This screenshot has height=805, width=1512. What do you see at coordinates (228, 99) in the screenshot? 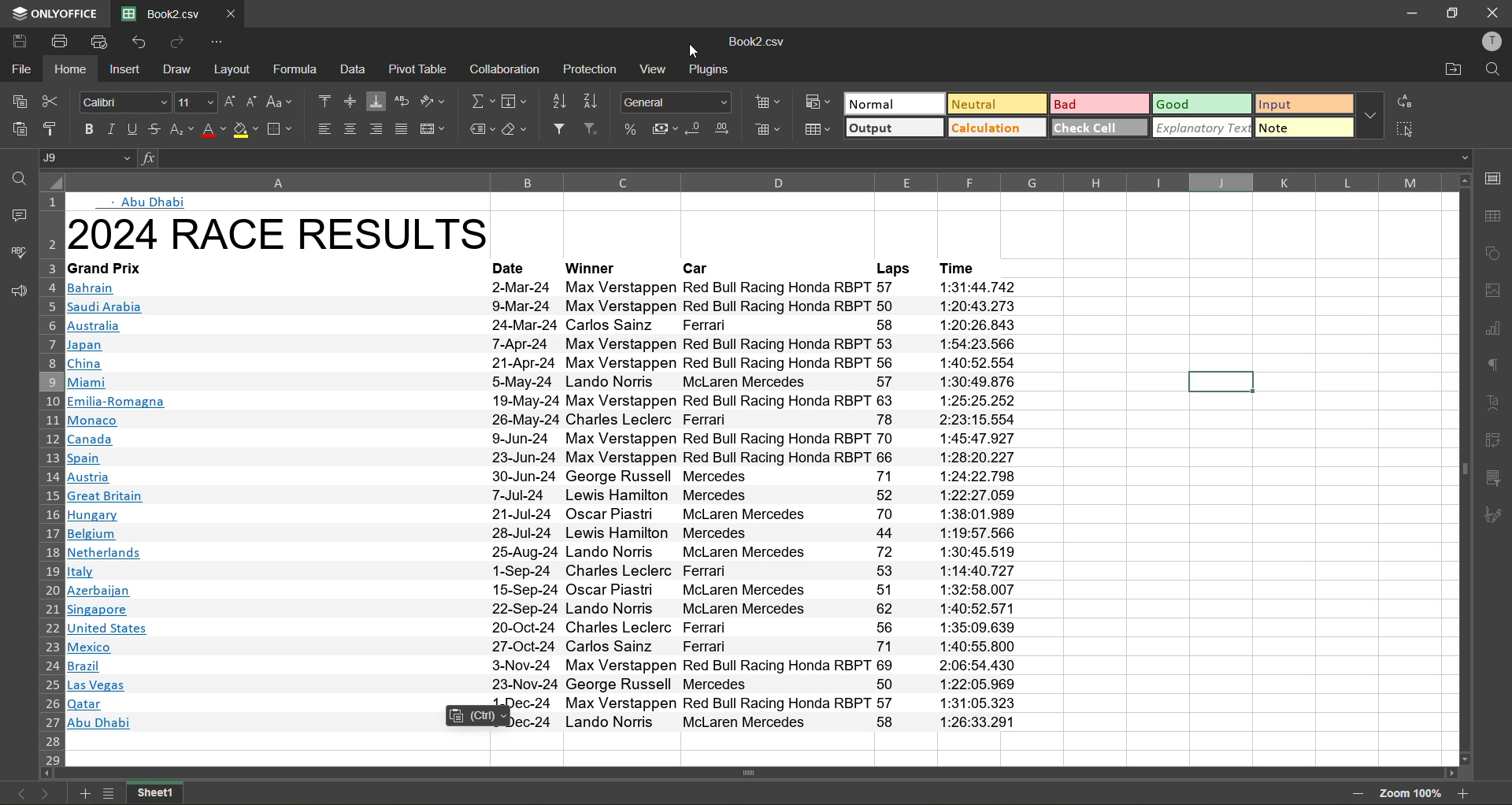
I see `increment size` at bounding box center [228, 99].